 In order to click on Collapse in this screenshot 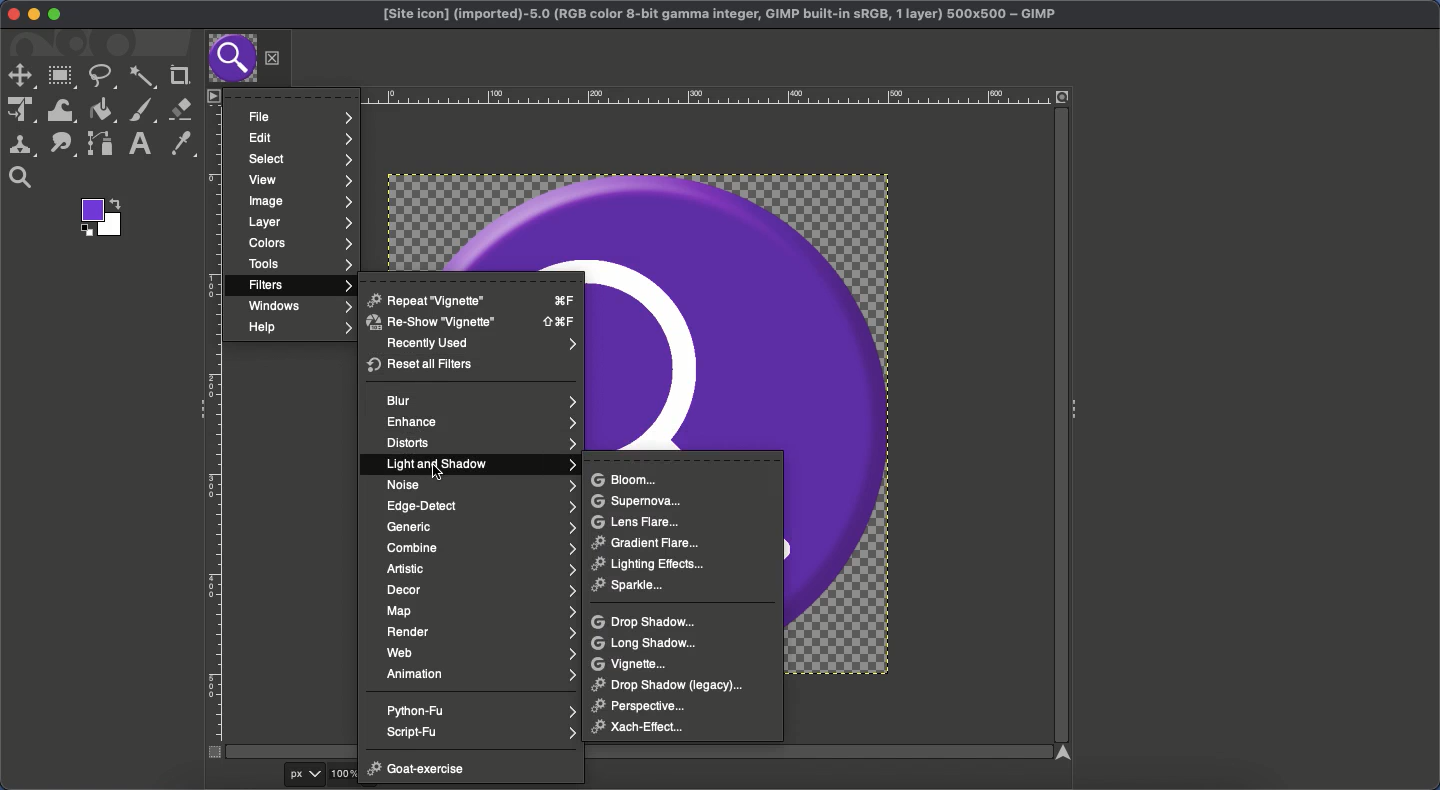, I will do `click(196, 407)`.